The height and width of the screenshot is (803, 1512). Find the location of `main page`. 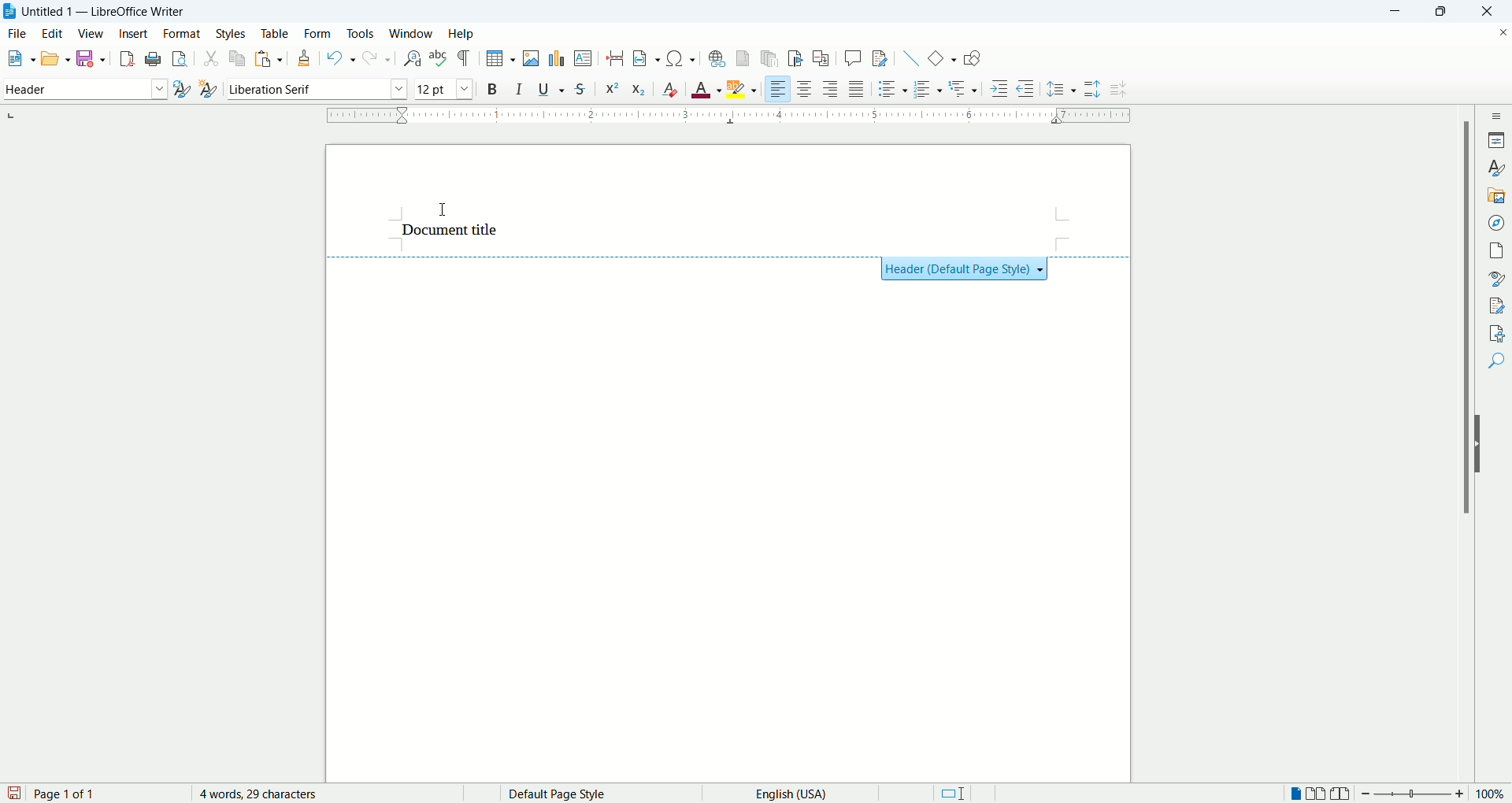

main page is located at coordinates (727, 531).